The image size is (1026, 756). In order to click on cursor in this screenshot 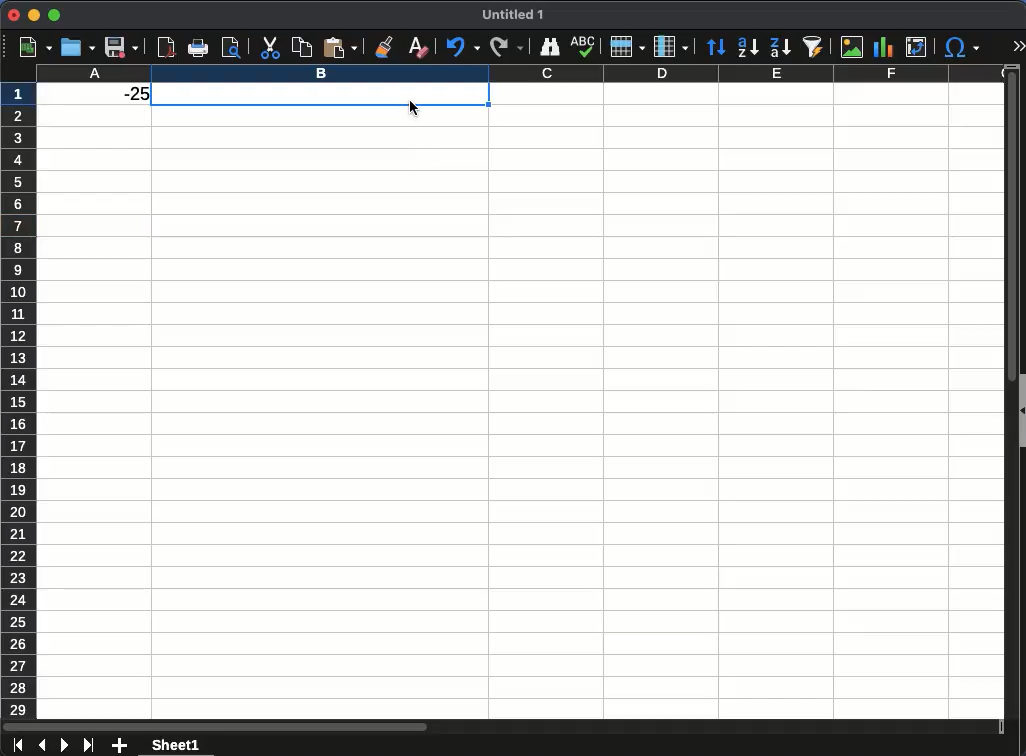, I will do `click(417, 115)`.